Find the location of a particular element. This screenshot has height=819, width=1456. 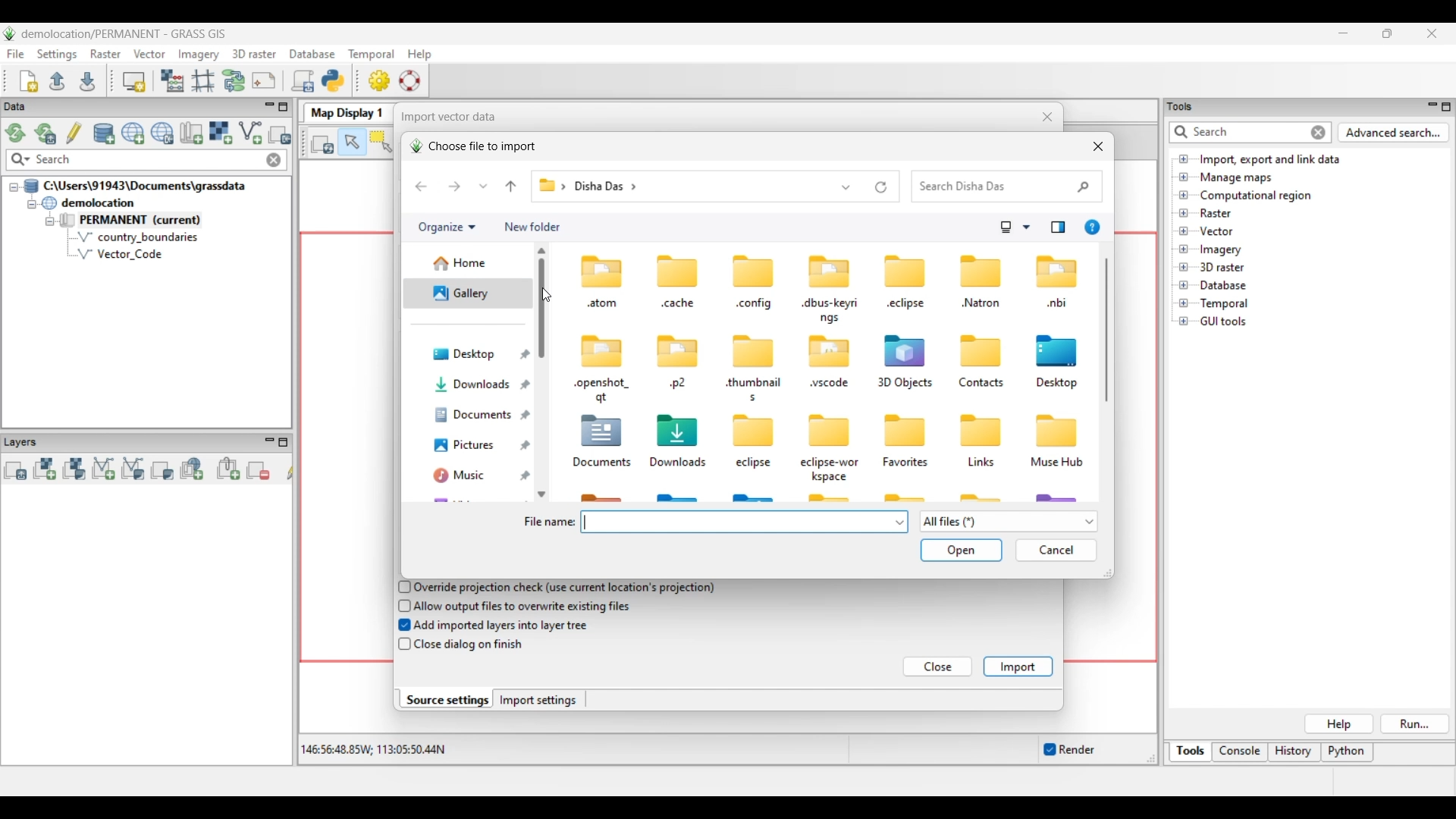

Downloads folder is located at coordinates (469, 386).